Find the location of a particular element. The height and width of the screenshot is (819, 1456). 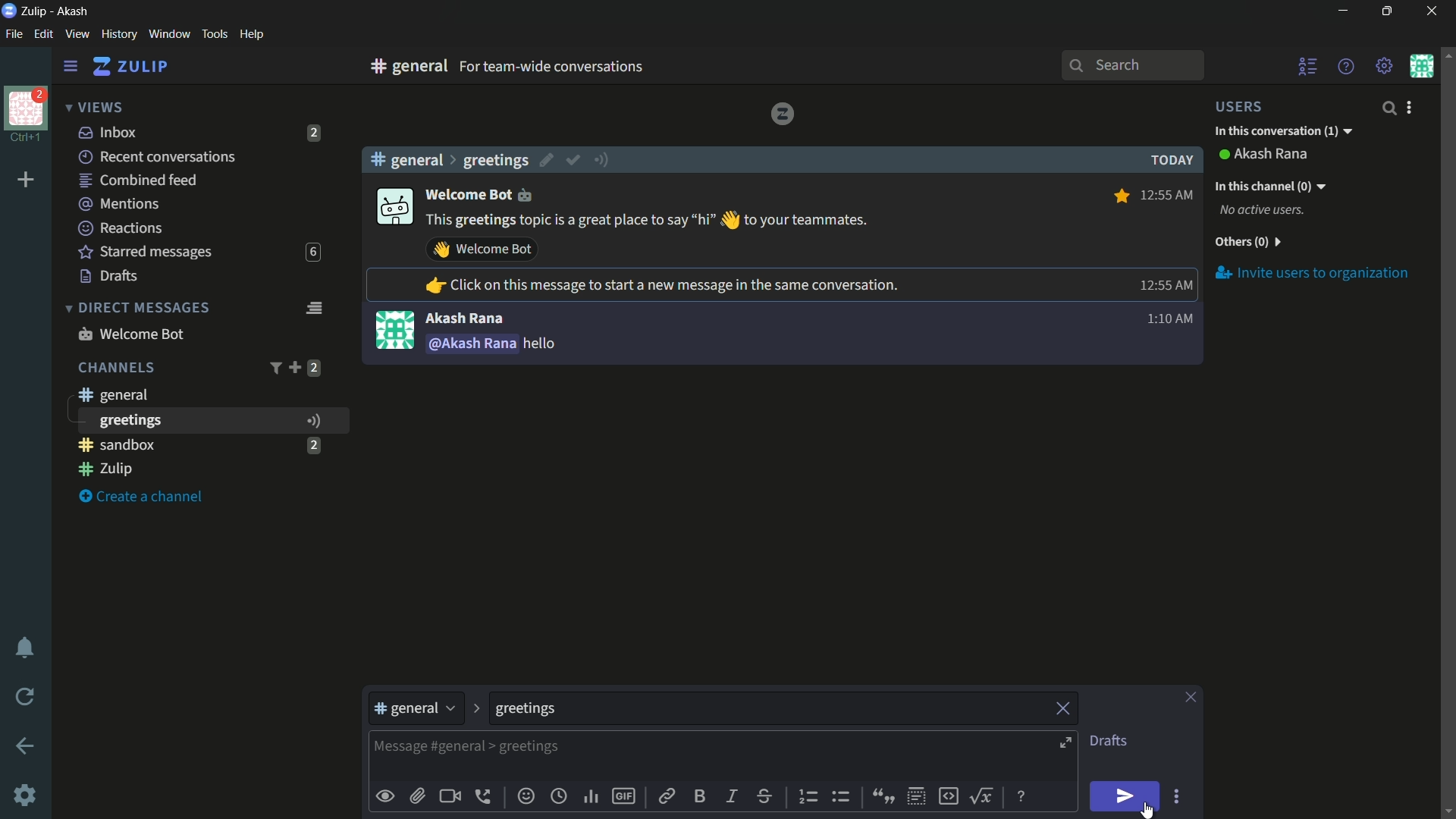

topic is located at coordinates (768, 709).